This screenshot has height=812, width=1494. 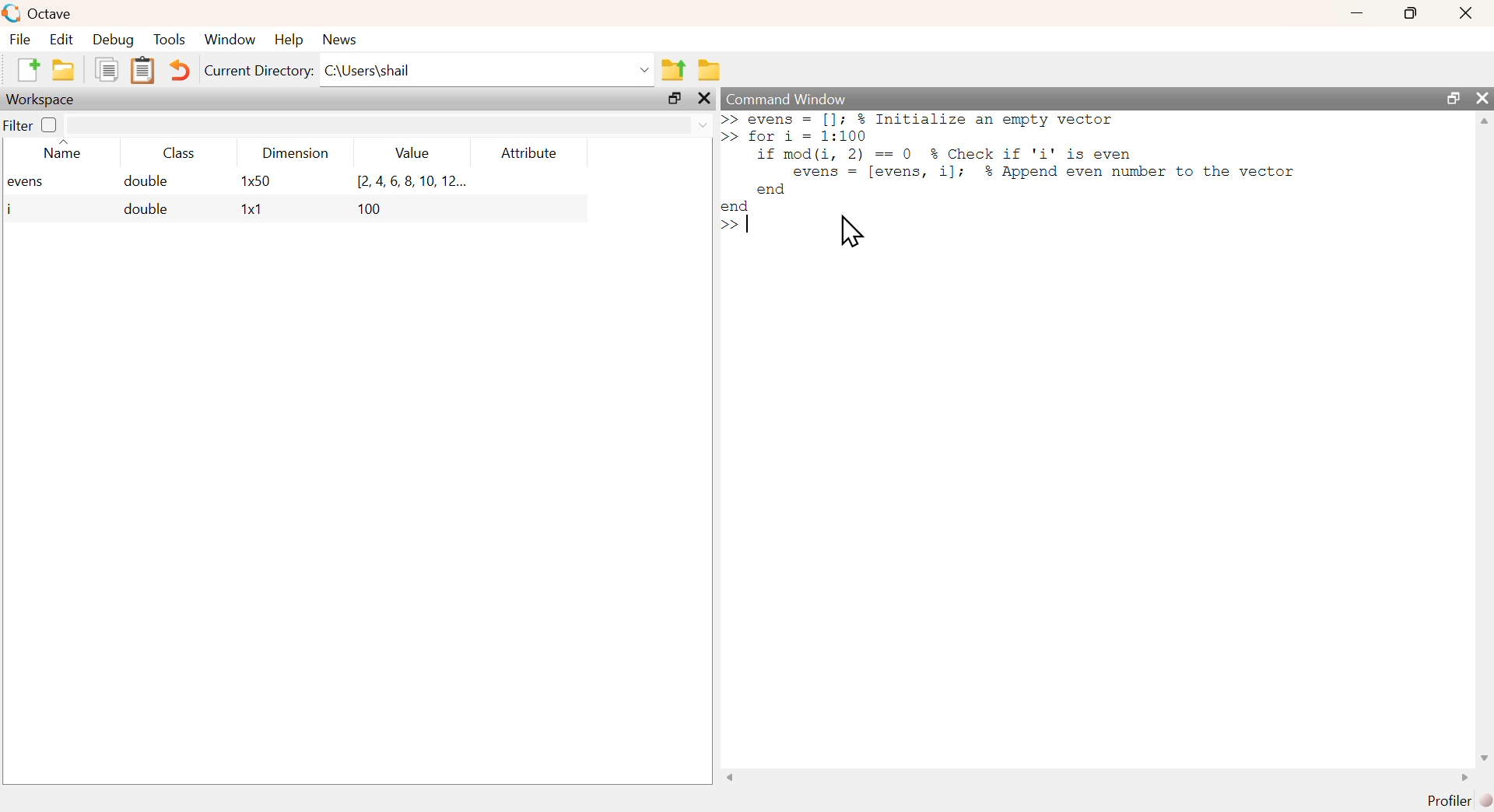 What do you see at coordinates (390, 124) in the screenshot?
I see `filter` at bounding box center [390, 124].